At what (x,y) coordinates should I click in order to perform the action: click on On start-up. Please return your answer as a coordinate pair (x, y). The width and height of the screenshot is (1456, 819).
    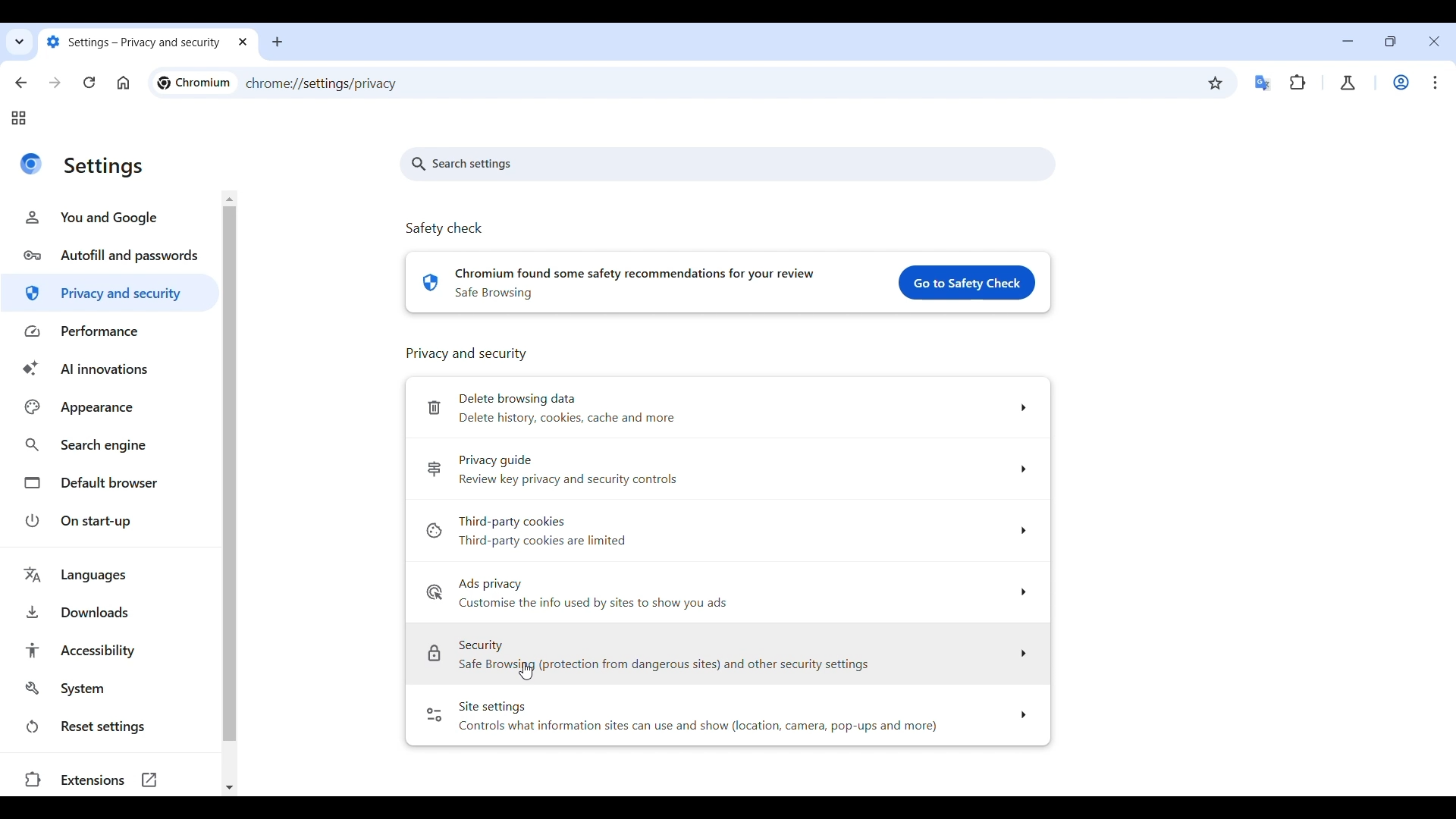
    Looking at the image, I should click on (112, 521).